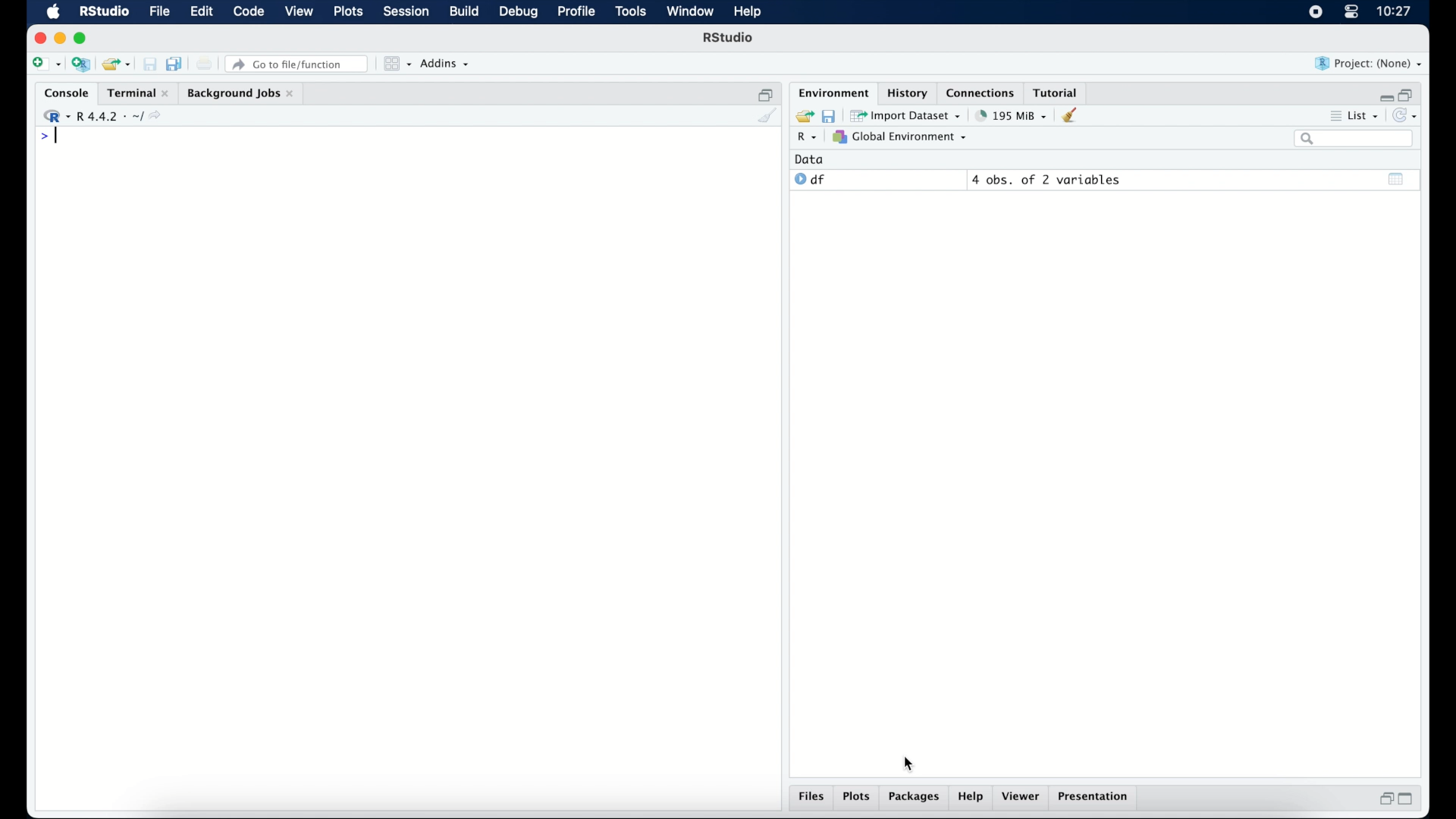 Image resolution: width=1456 pixels, height=819 pixels. What do you see at coordinates (45, 65) in the screenshot?
I see `create new file` at bounding box center [45, 65].